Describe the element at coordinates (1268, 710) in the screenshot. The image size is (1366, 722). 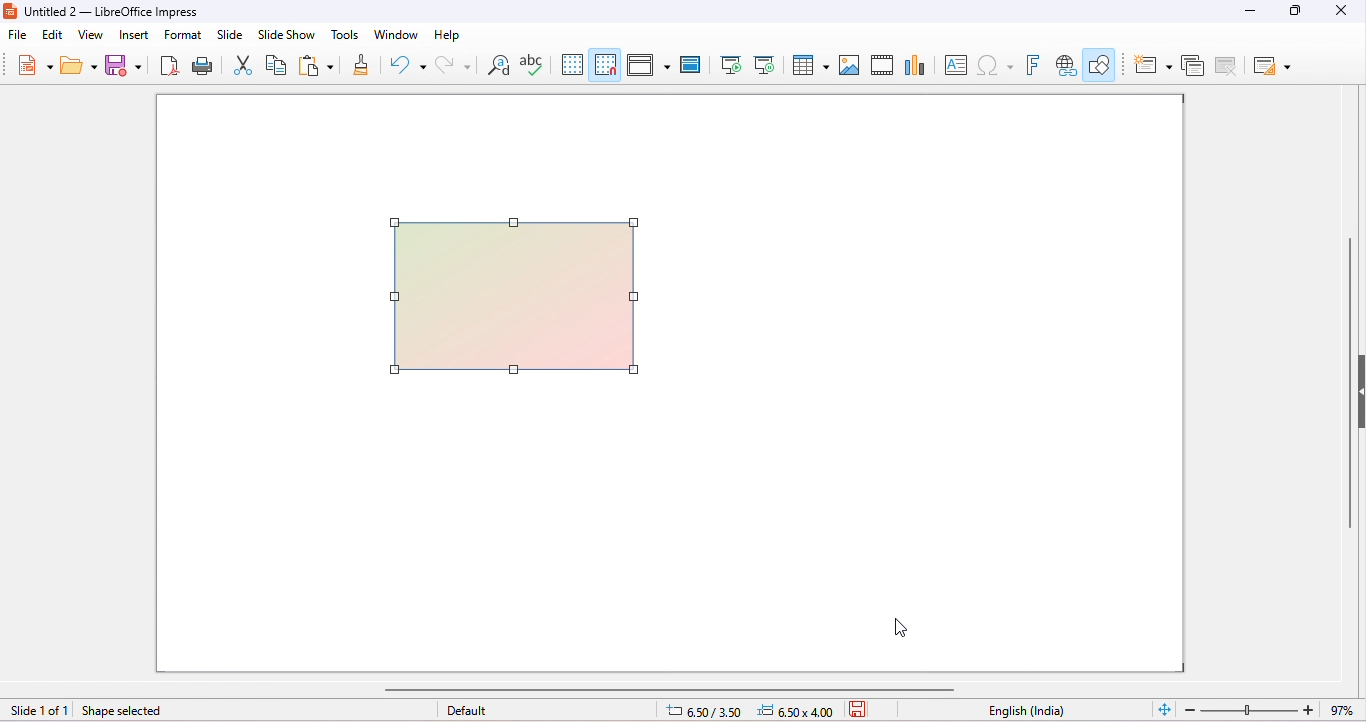
I see `97% (zoom)` at that location.